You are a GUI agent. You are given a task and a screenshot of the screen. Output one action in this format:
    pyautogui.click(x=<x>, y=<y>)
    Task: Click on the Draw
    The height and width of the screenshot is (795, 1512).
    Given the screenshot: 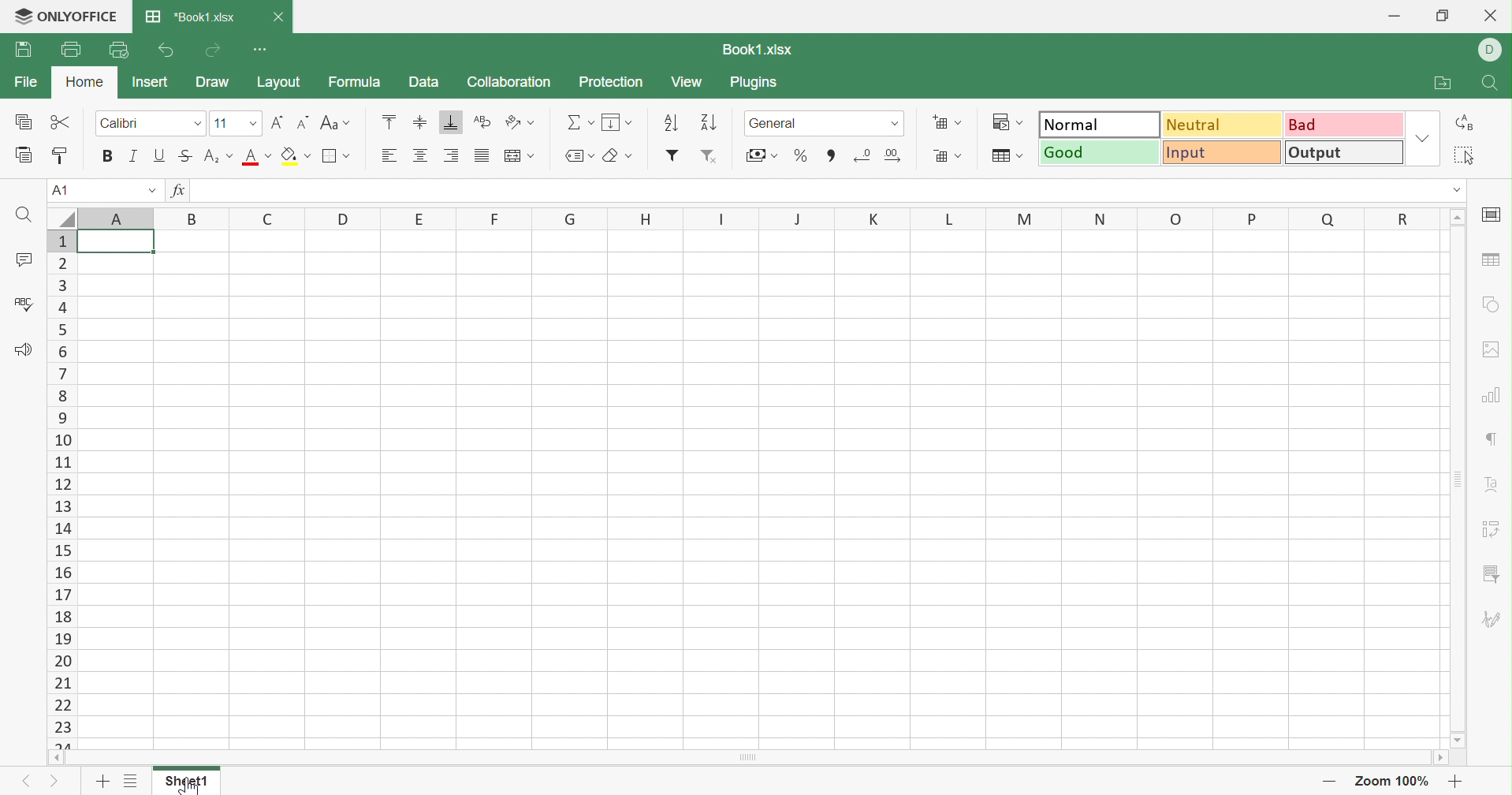 What is the action you would take?
    pyautogui.click(x=214, y=82)
    